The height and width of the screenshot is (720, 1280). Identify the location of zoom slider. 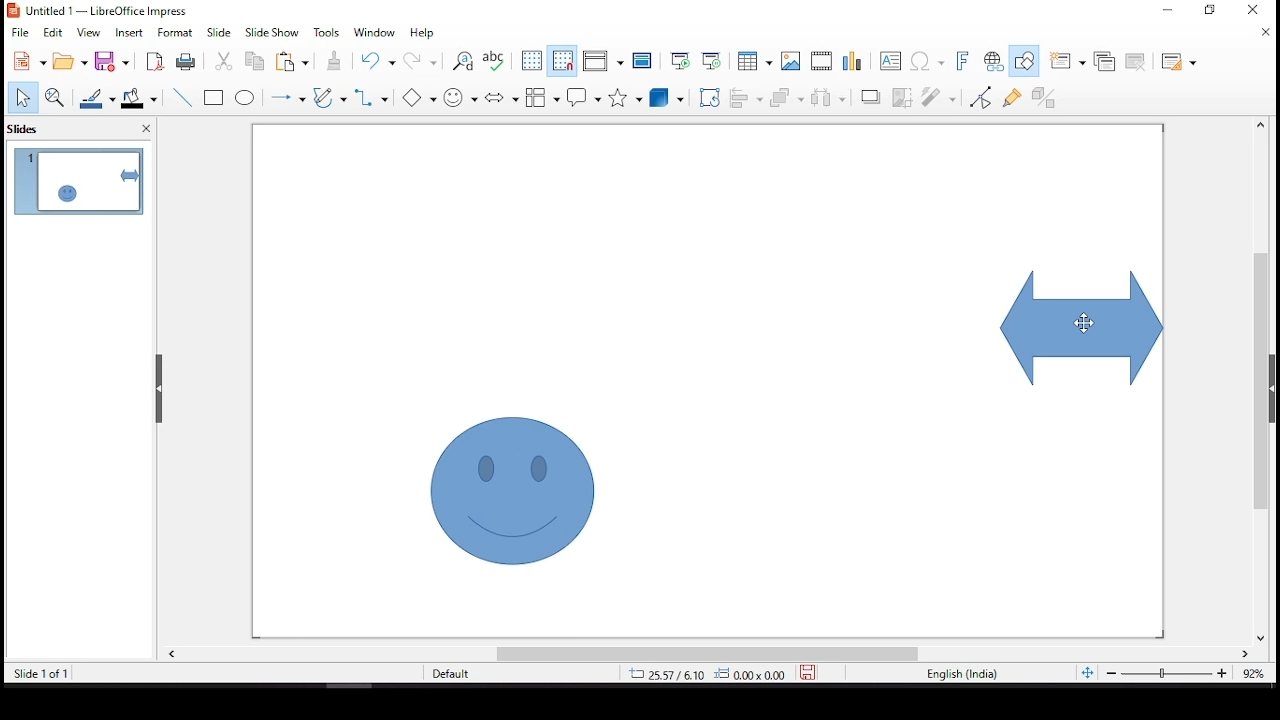
(1165, 675).